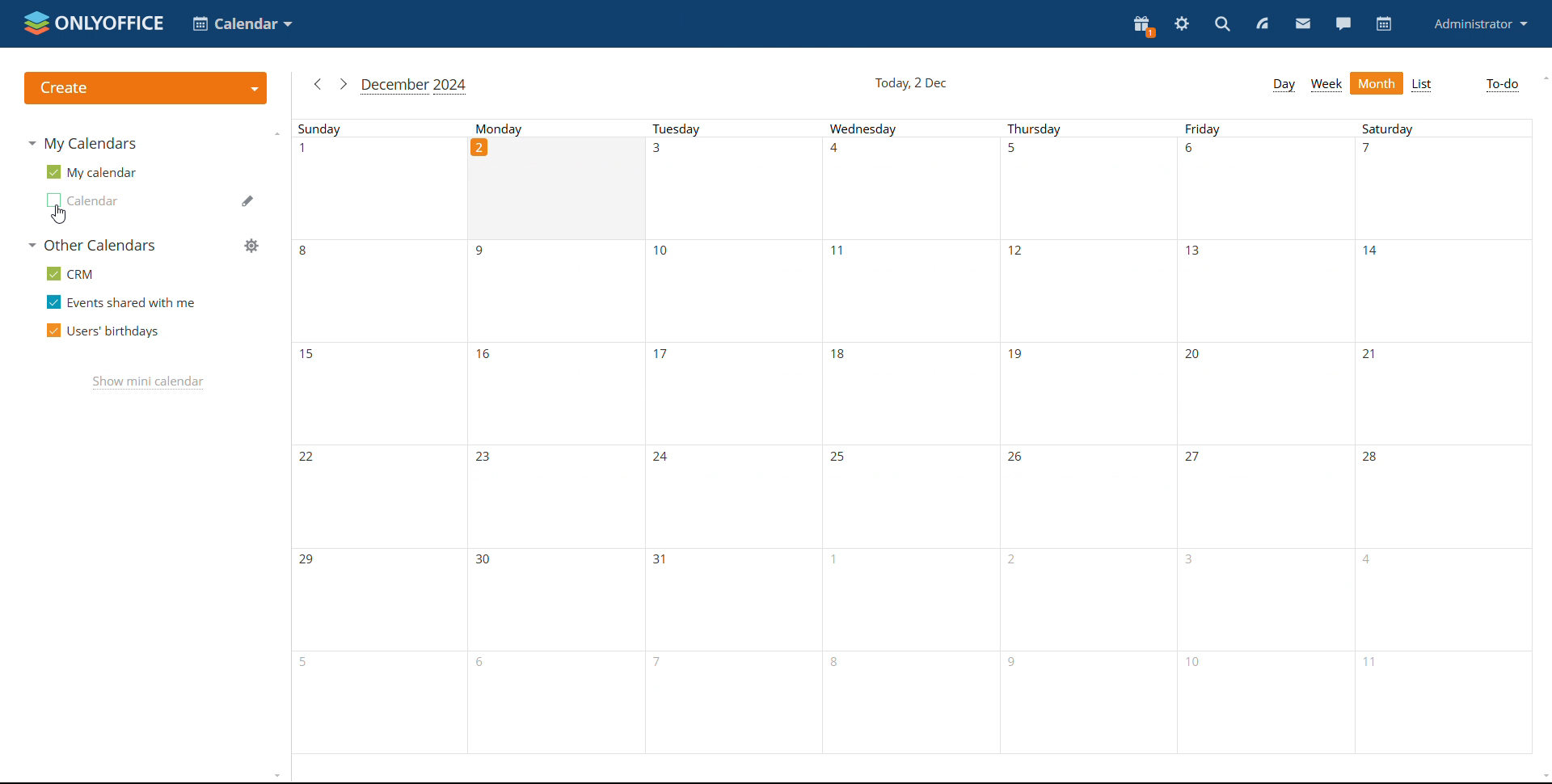  I want to click on tuesday, so click(737, 130).